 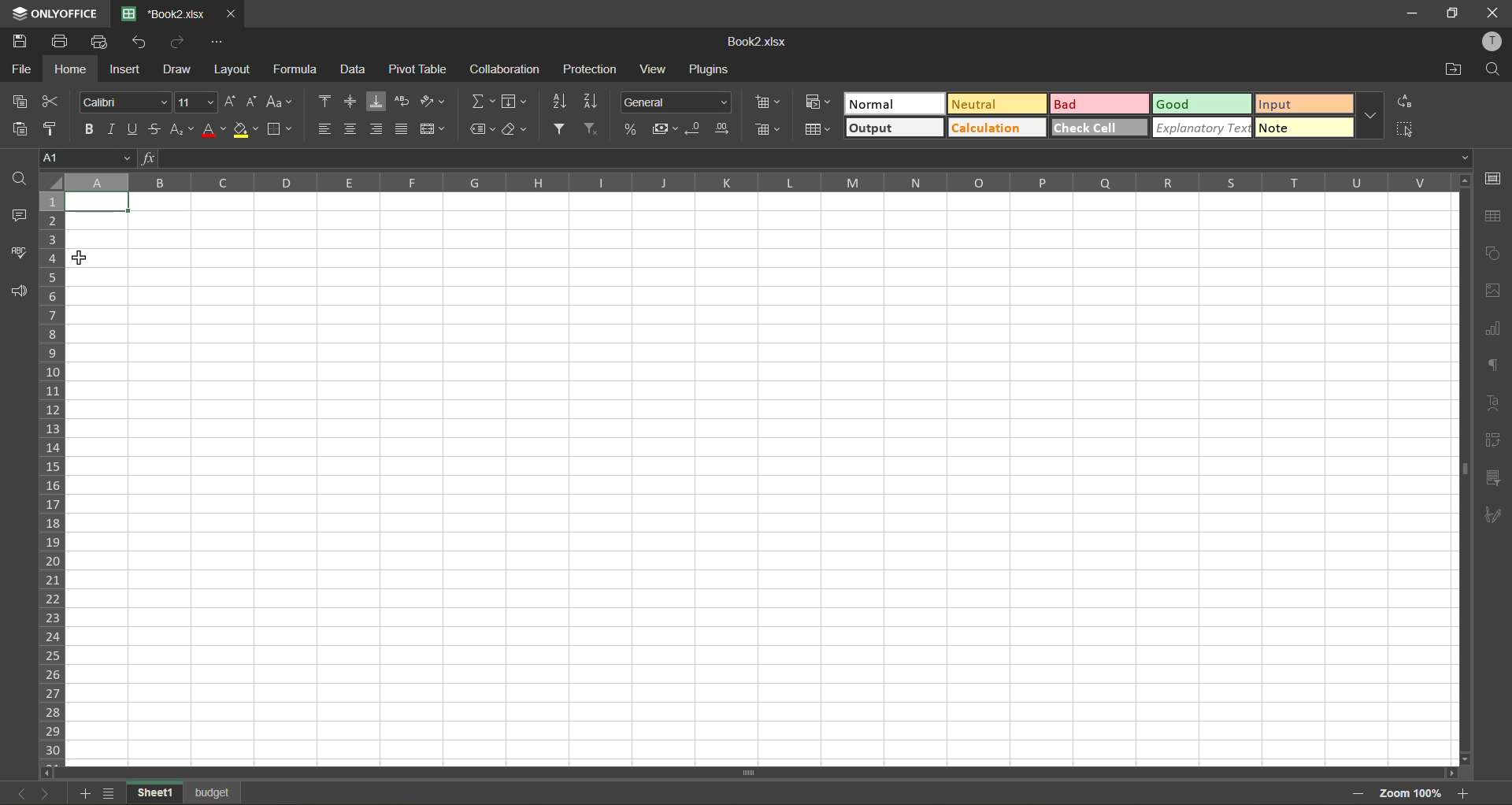 What do you see at coordinates (421, 70) in the screenshot?
I see `pivot table` at bounding box center [421, 70].